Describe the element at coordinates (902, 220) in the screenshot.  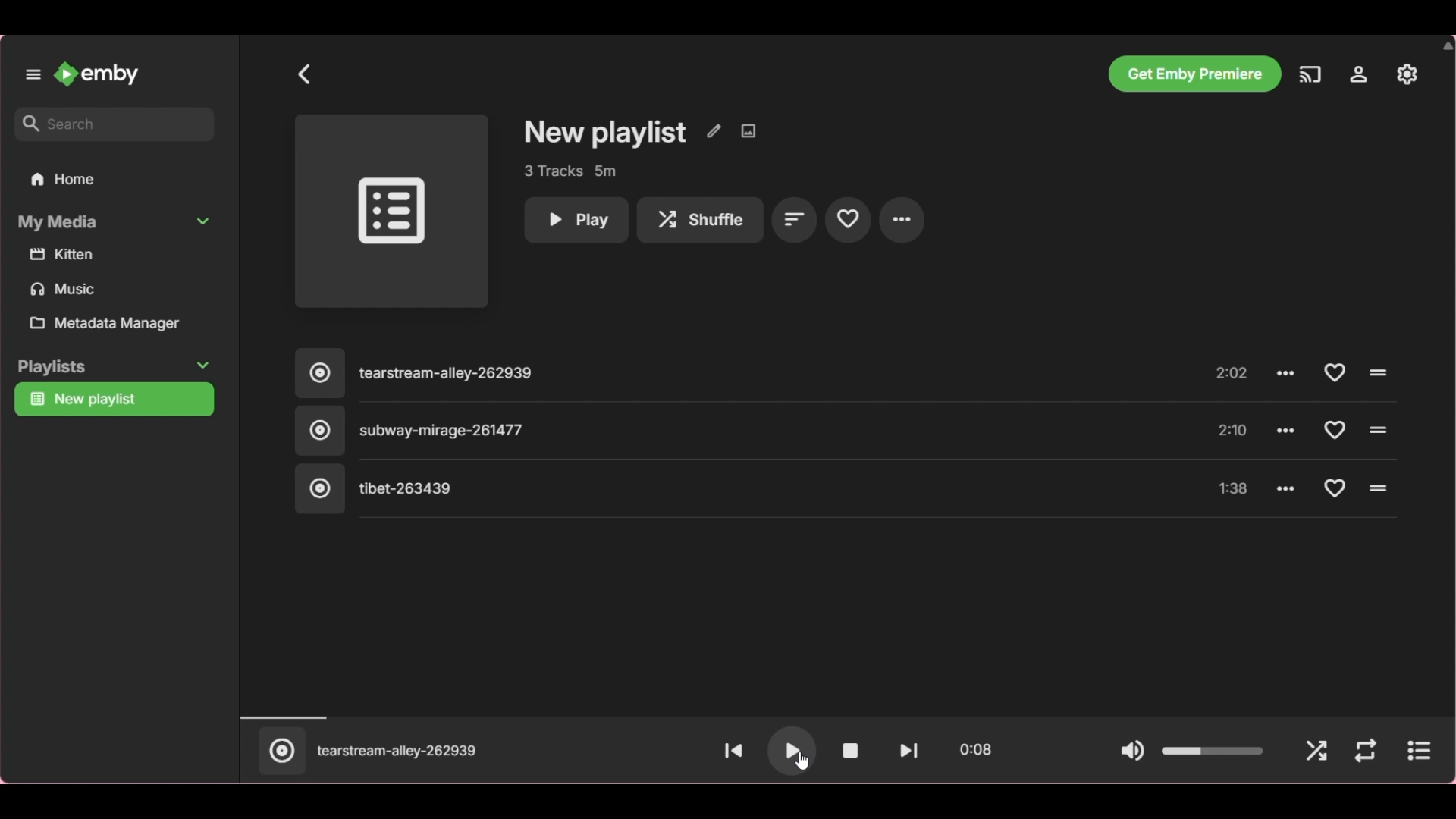
I see `More` at that location.